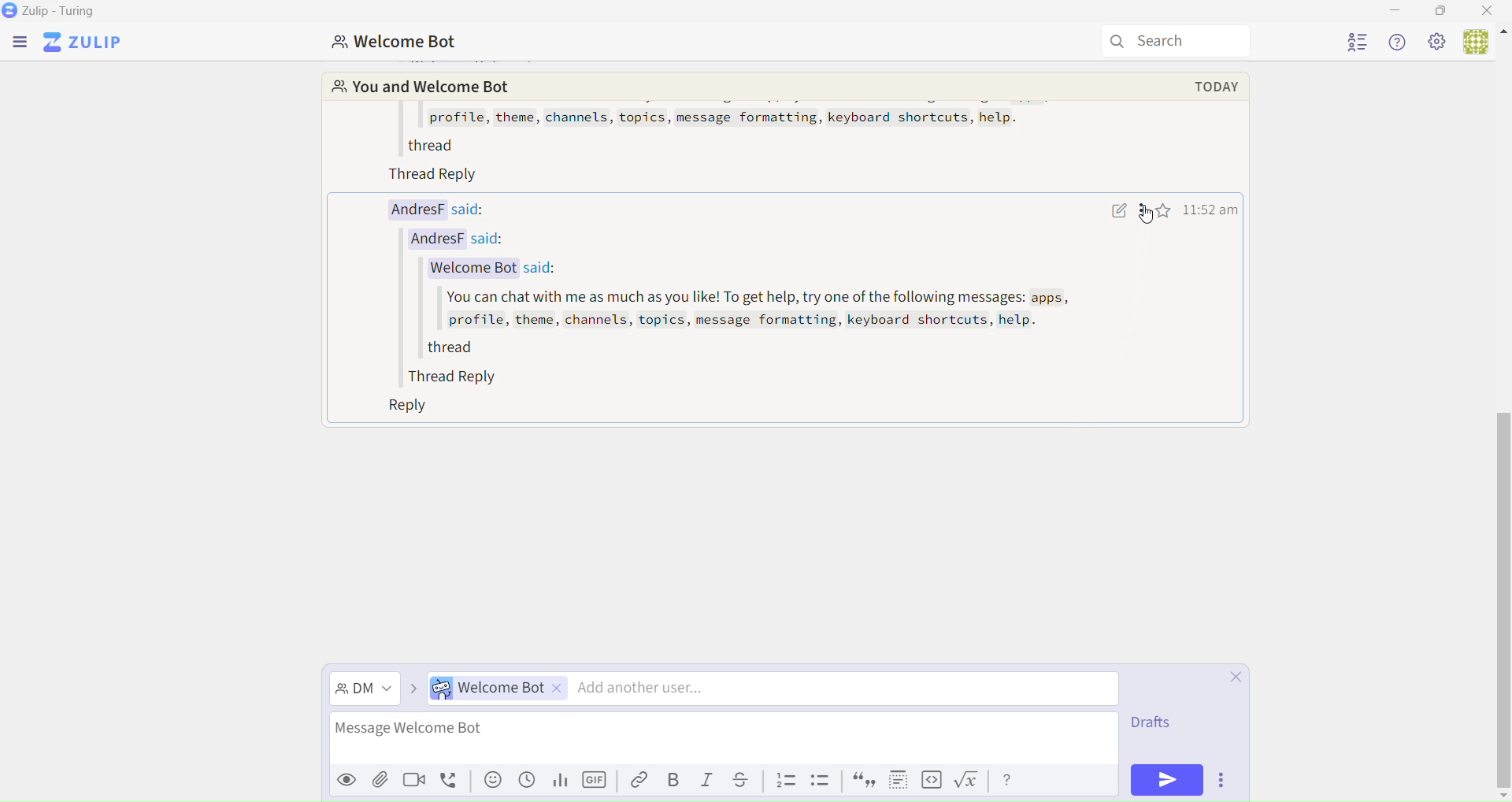 This screenshot has width=1512, height=802. I want to click on You can chat with me as much as you like! To get help, try one of the following messages: apps,
profile, theme, channels, topics, message formatting, keyboard shortcuts, help., so click(750, 314).